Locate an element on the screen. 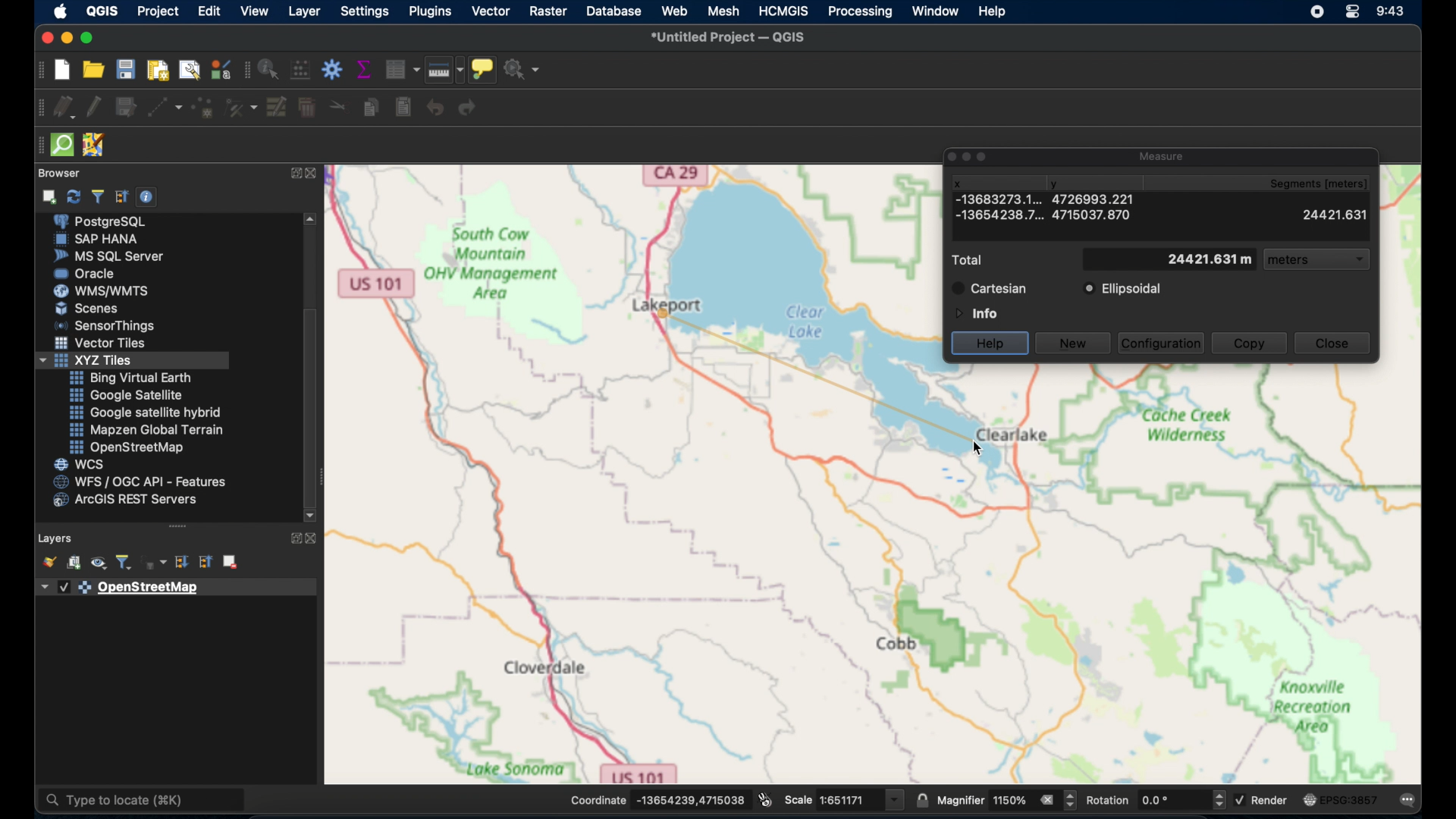 Image resolution: width=1456 pixels, height=819 pixels. undo is located at coordinates (435, 107).